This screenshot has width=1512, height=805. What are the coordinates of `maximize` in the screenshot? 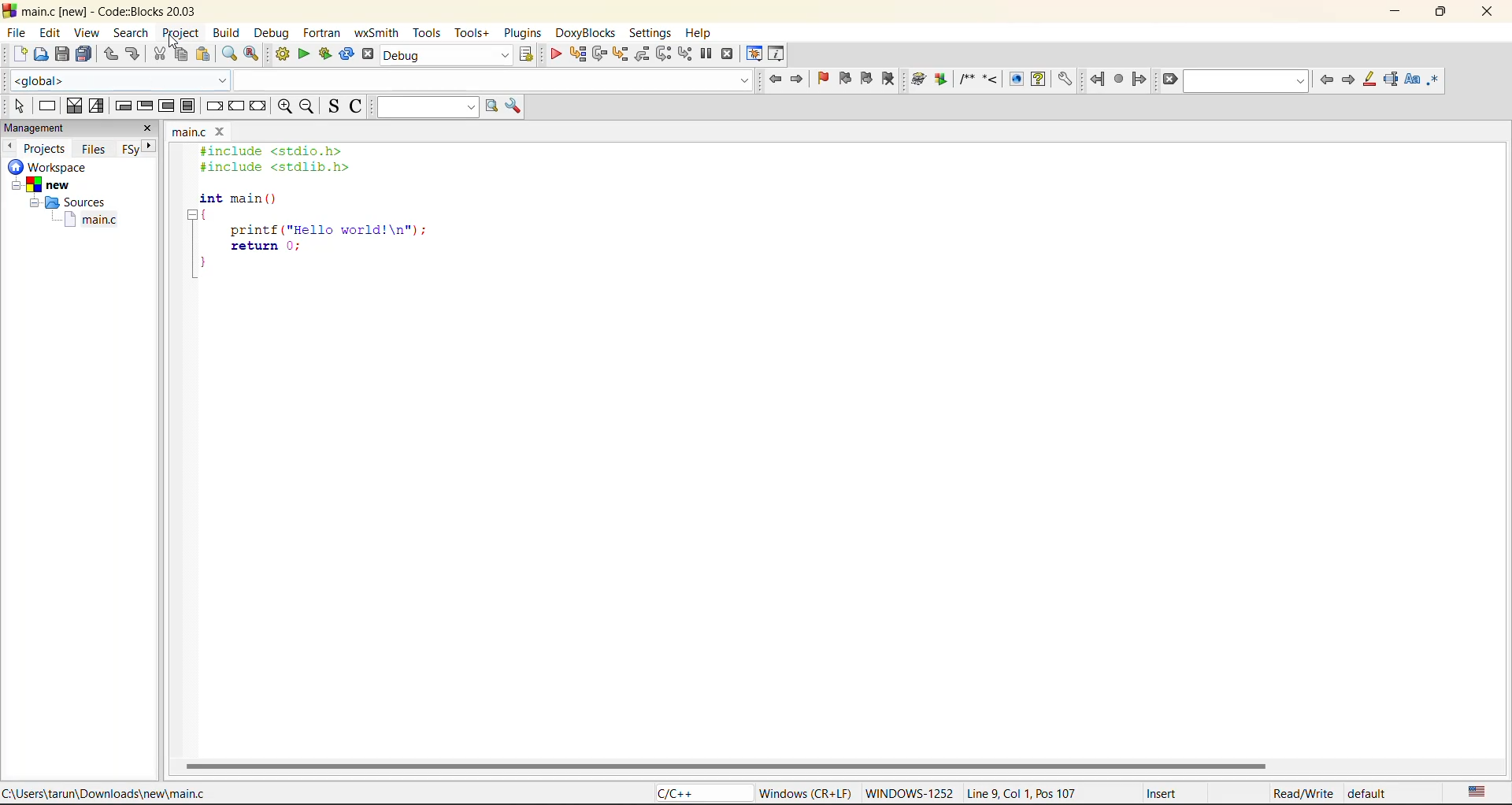 It's located at (1445, 14).